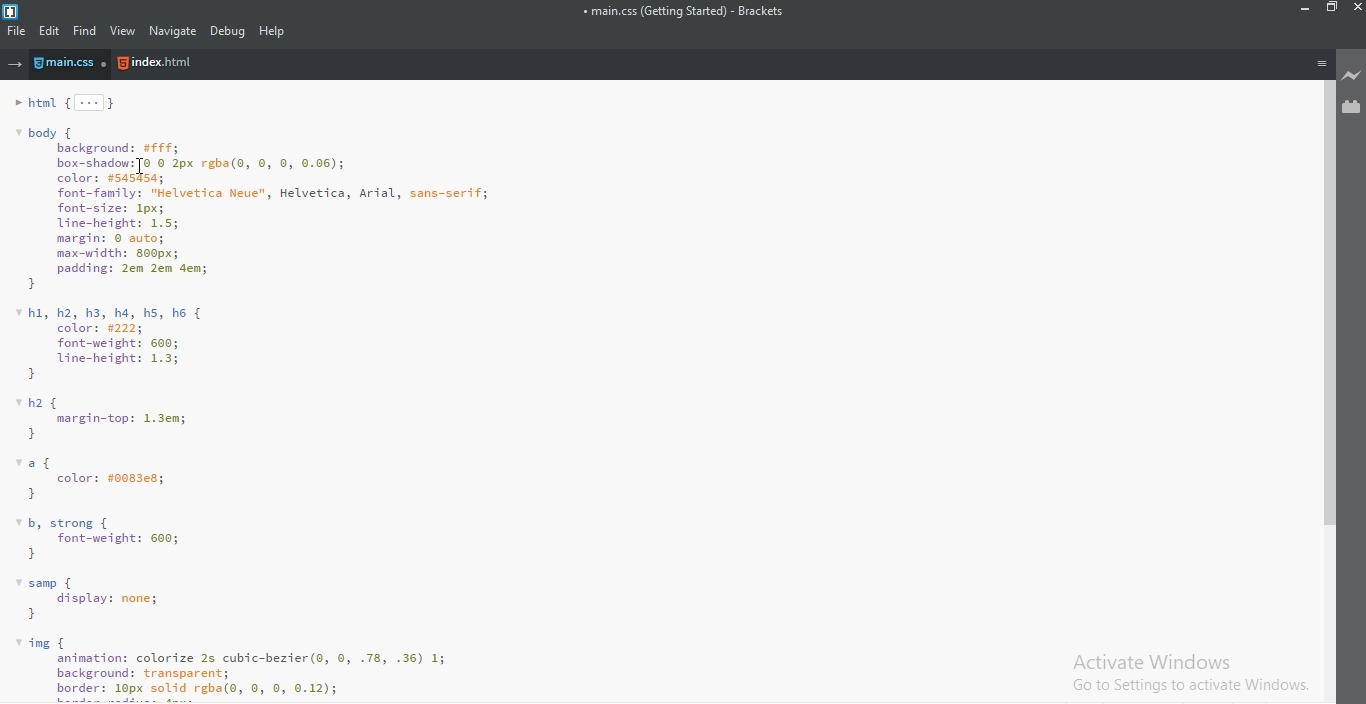 The image size is (1366, 704). Describe the element at coordinates (1356, 10) in the screenshot. I see `close` at that location.